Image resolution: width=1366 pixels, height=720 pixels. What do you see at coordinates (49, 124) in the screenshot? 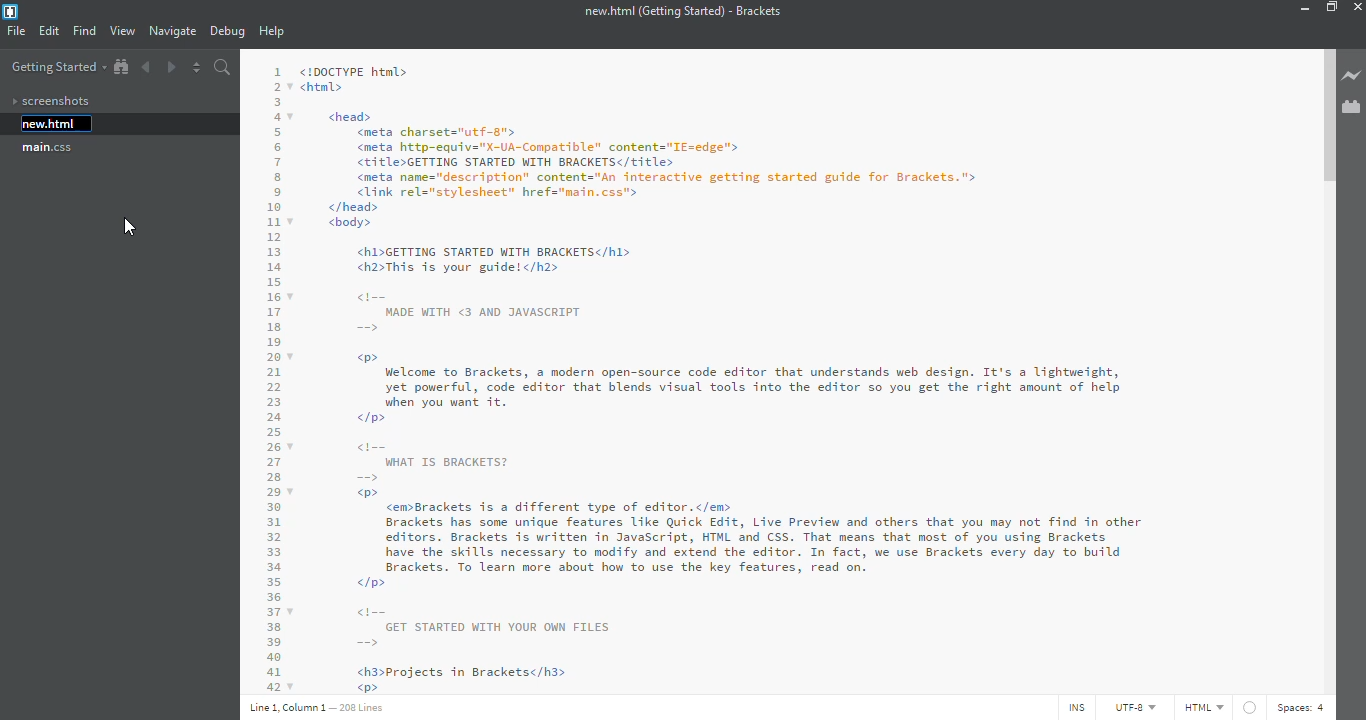
I see `new.html` at bounding box center [49, 124].